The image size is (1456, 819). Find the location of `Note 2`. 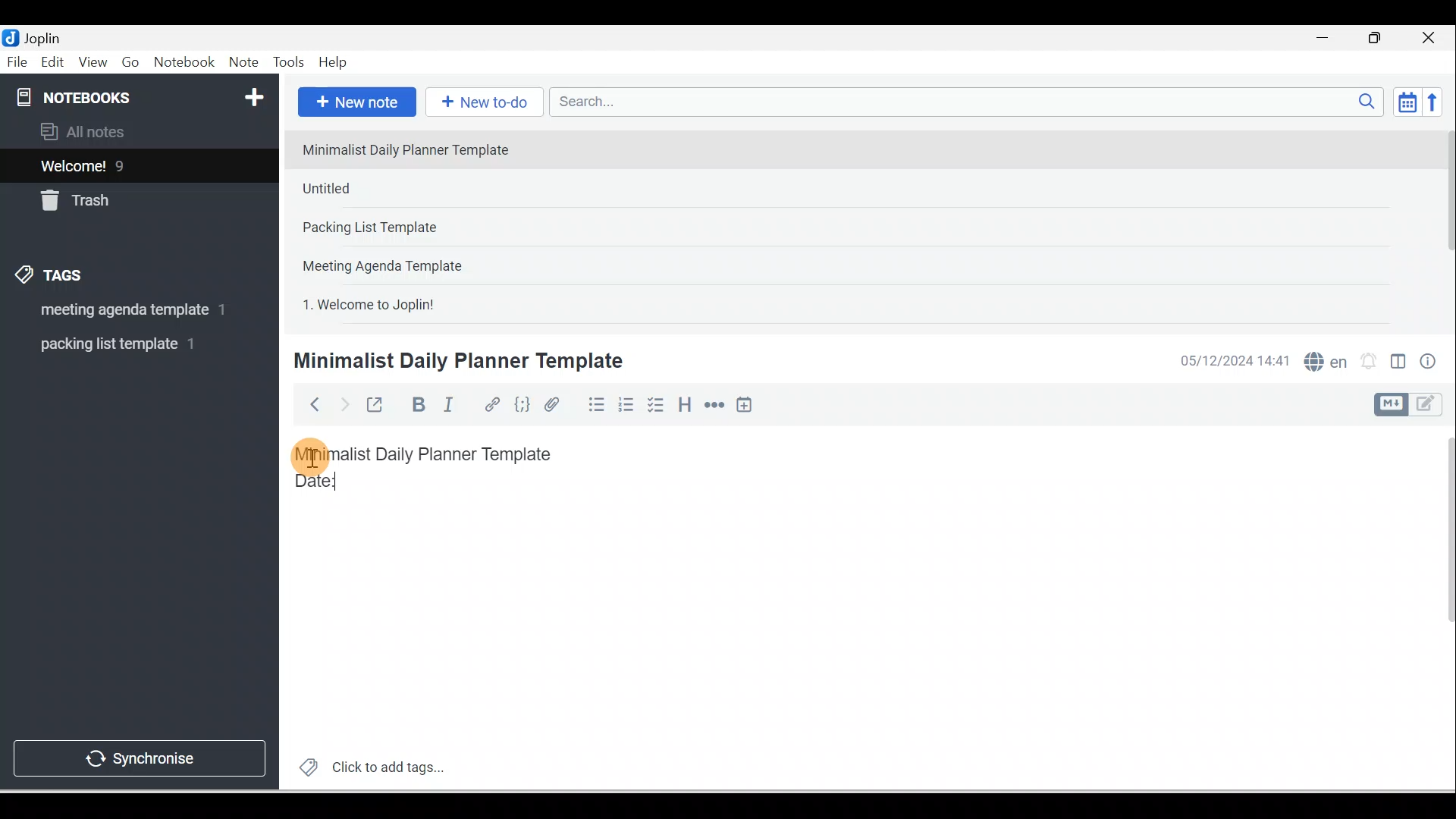

Note 2 is located at coordinates (401, 188).